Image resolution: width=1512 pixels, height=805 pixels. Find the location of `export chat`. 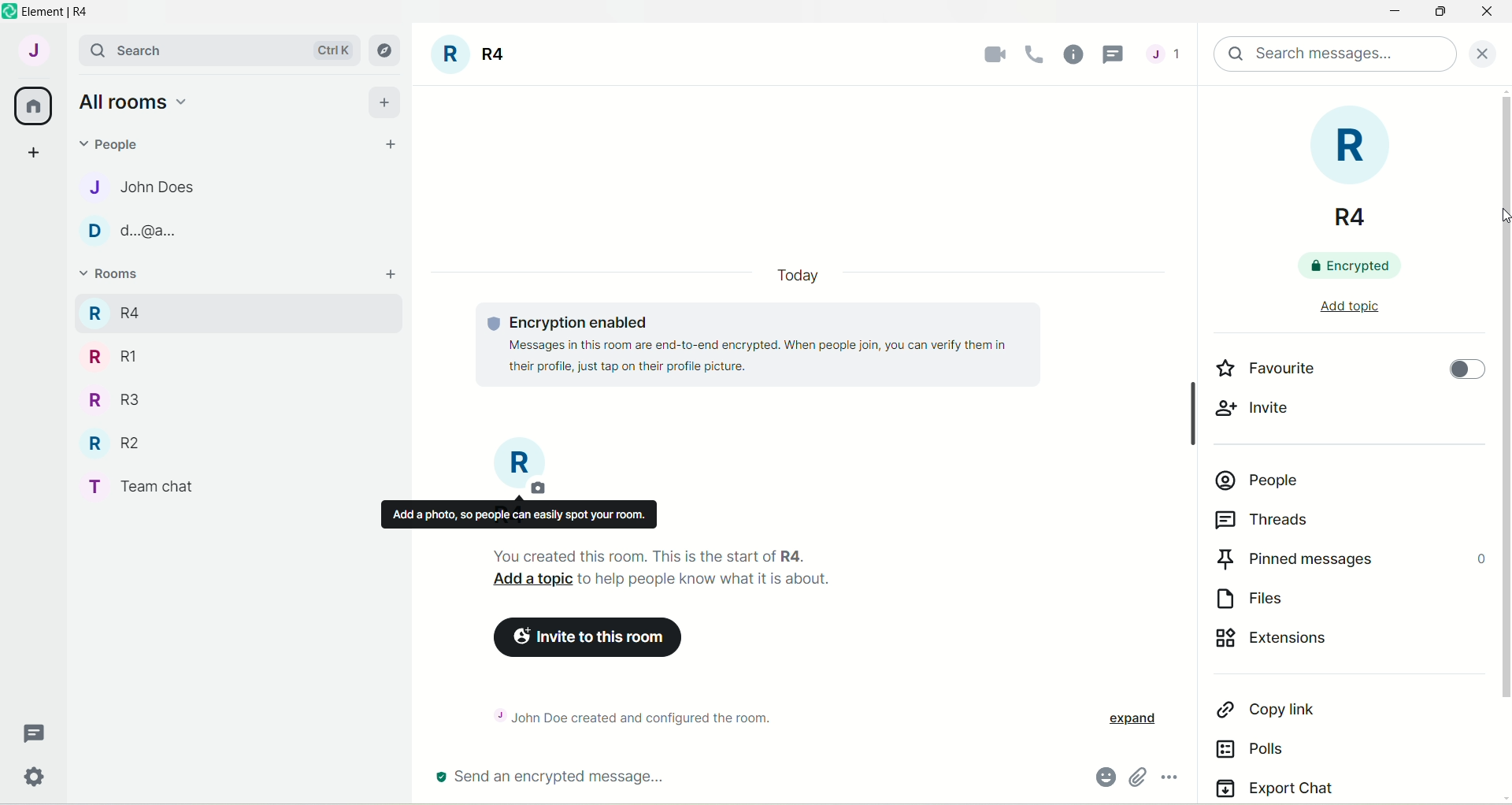

export chat is located at coordinates (1275, 787).